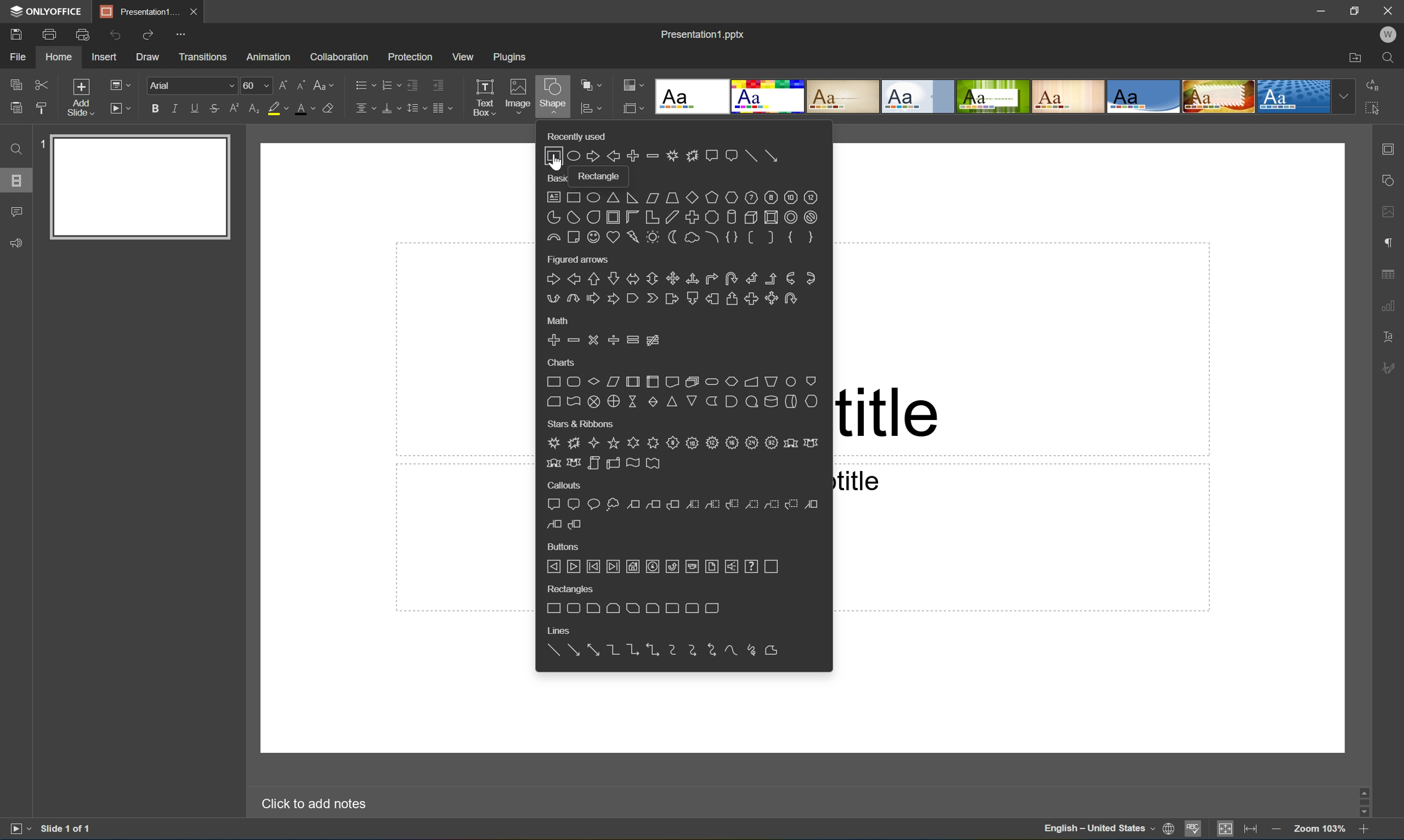  What do you see at coordinates (19, 243) in the screenshot?
I see `Feedback & support` at bounding box center [19, 243].